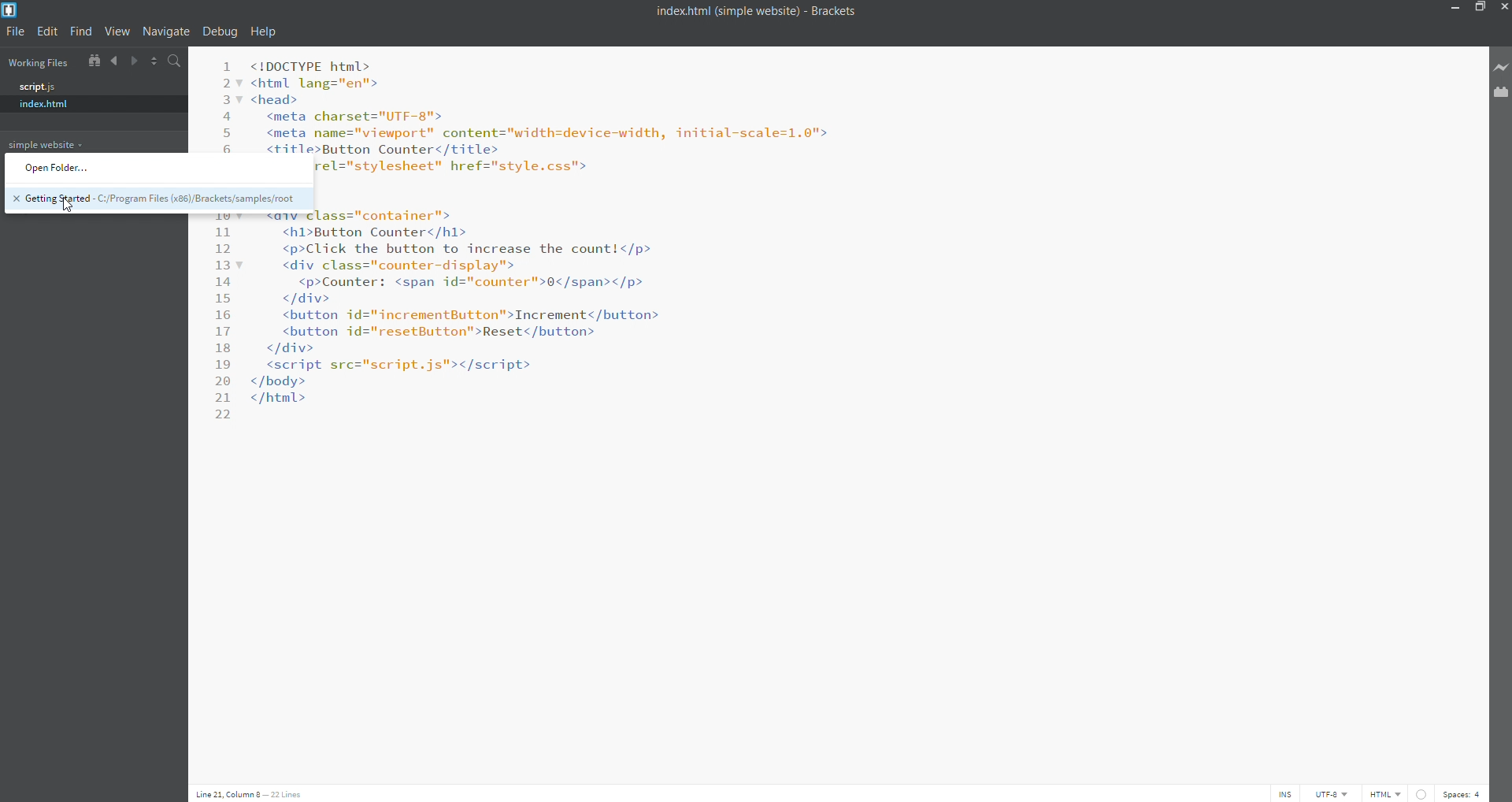 The height and width of the screenshot is (802, 1512). Describe the element at coordinates (1333, 793) in the screenshot. I see `encoding: UTF-8` at that location.